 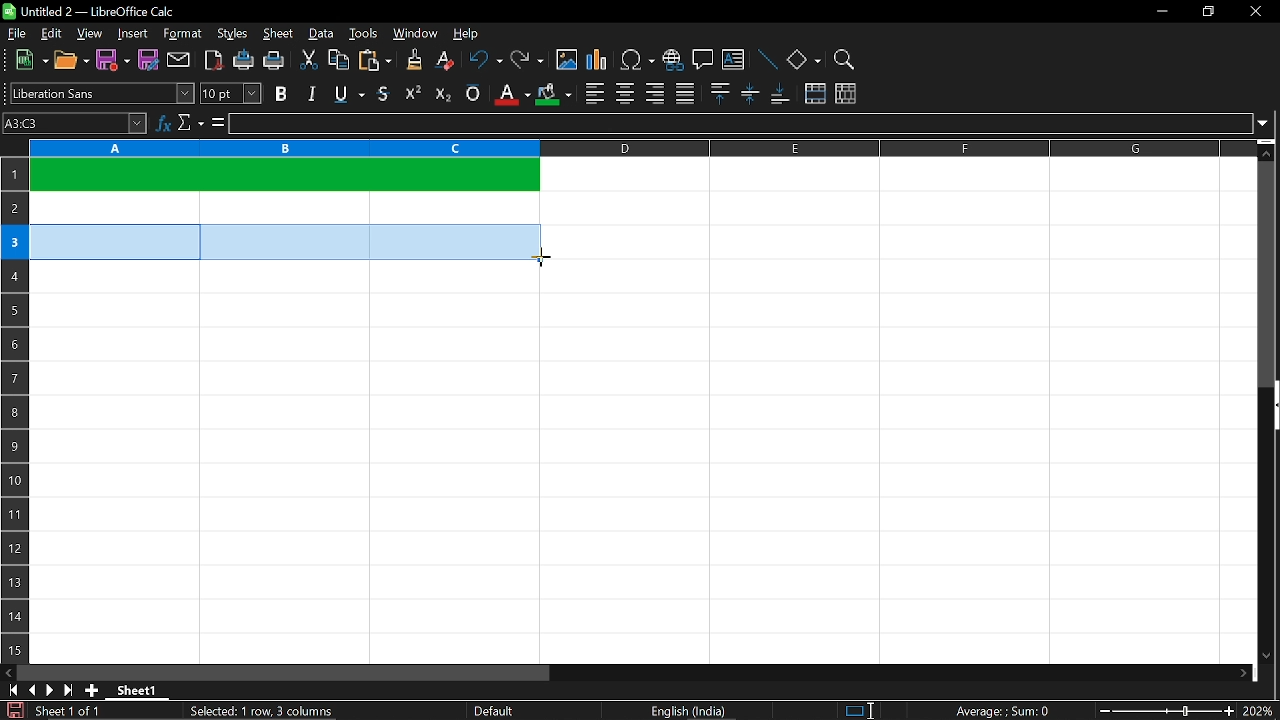 What do you see at coordinates (734, 59) in the screenshot?
I see `insert text` at bounding box center [734, 59].